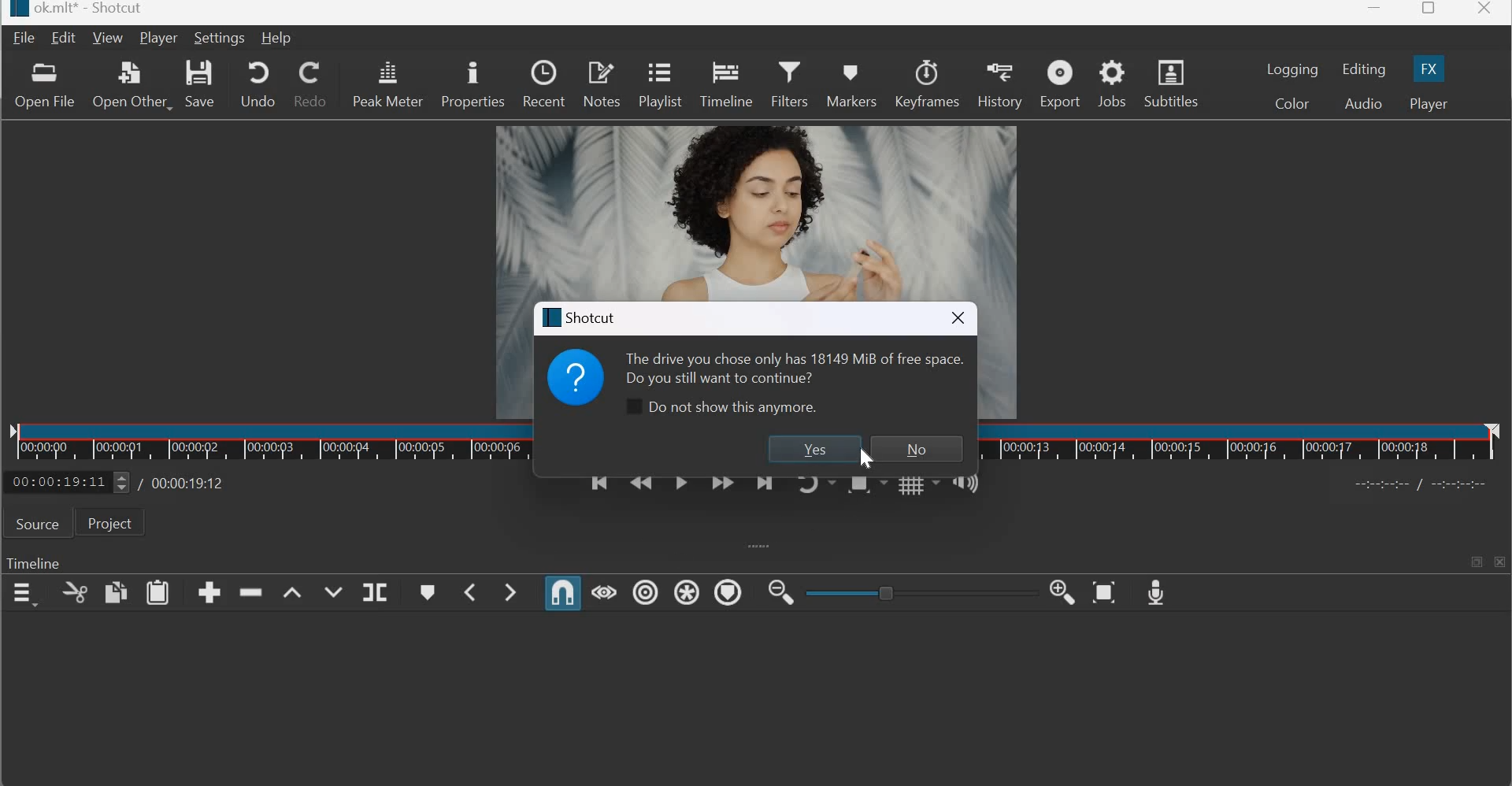 The width and height of the screenshot is (1512, 786). Describe the element at coordinates (130, 86) in the screenshot. I see `Open other` at that location.